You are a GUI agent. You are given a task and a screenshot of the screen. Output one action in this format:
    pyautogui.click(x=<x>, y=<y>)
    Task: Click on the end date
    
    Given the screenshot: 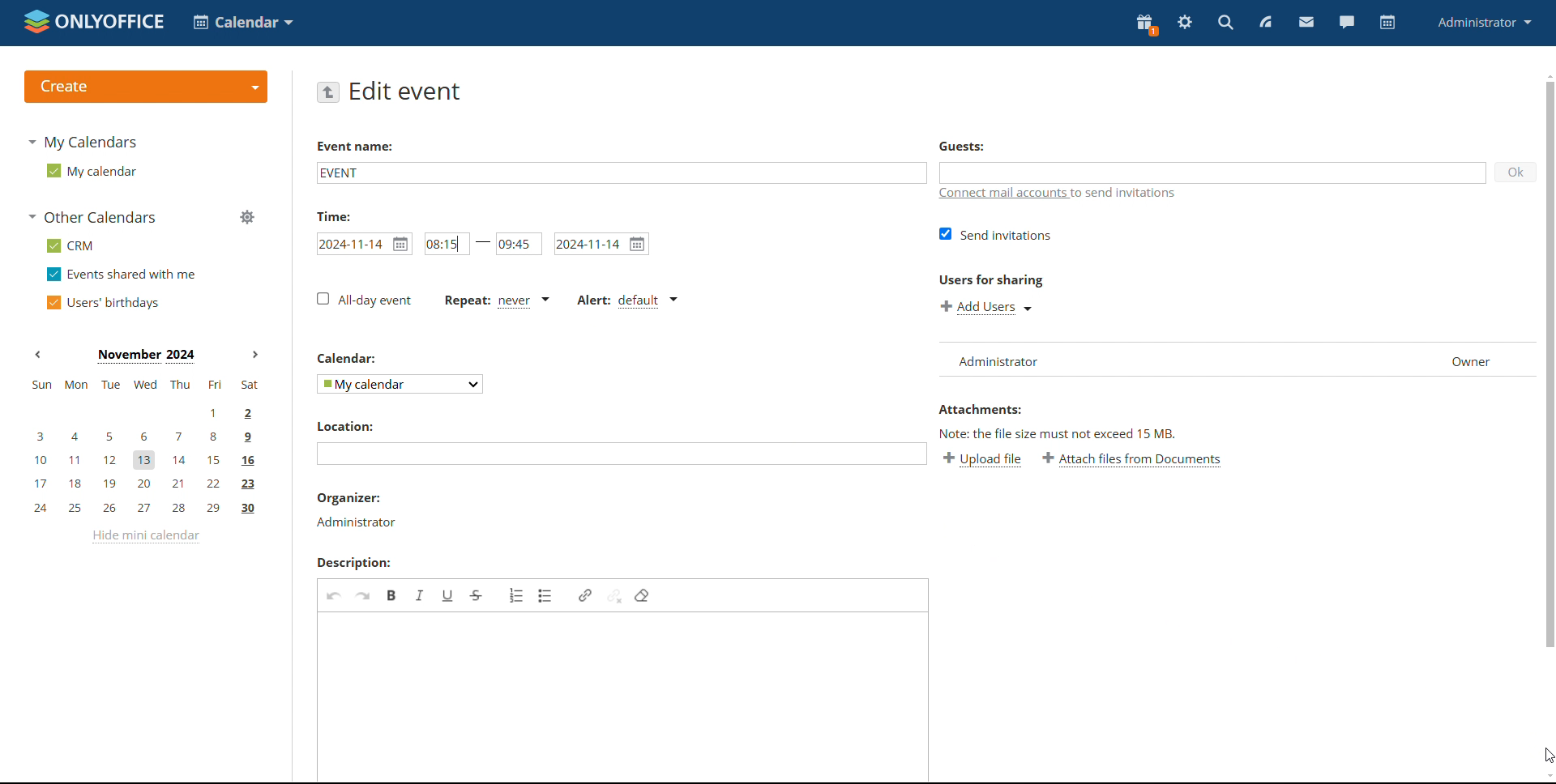 What is the action you would take?
    pyautogui.click(x=601, y=244)
    